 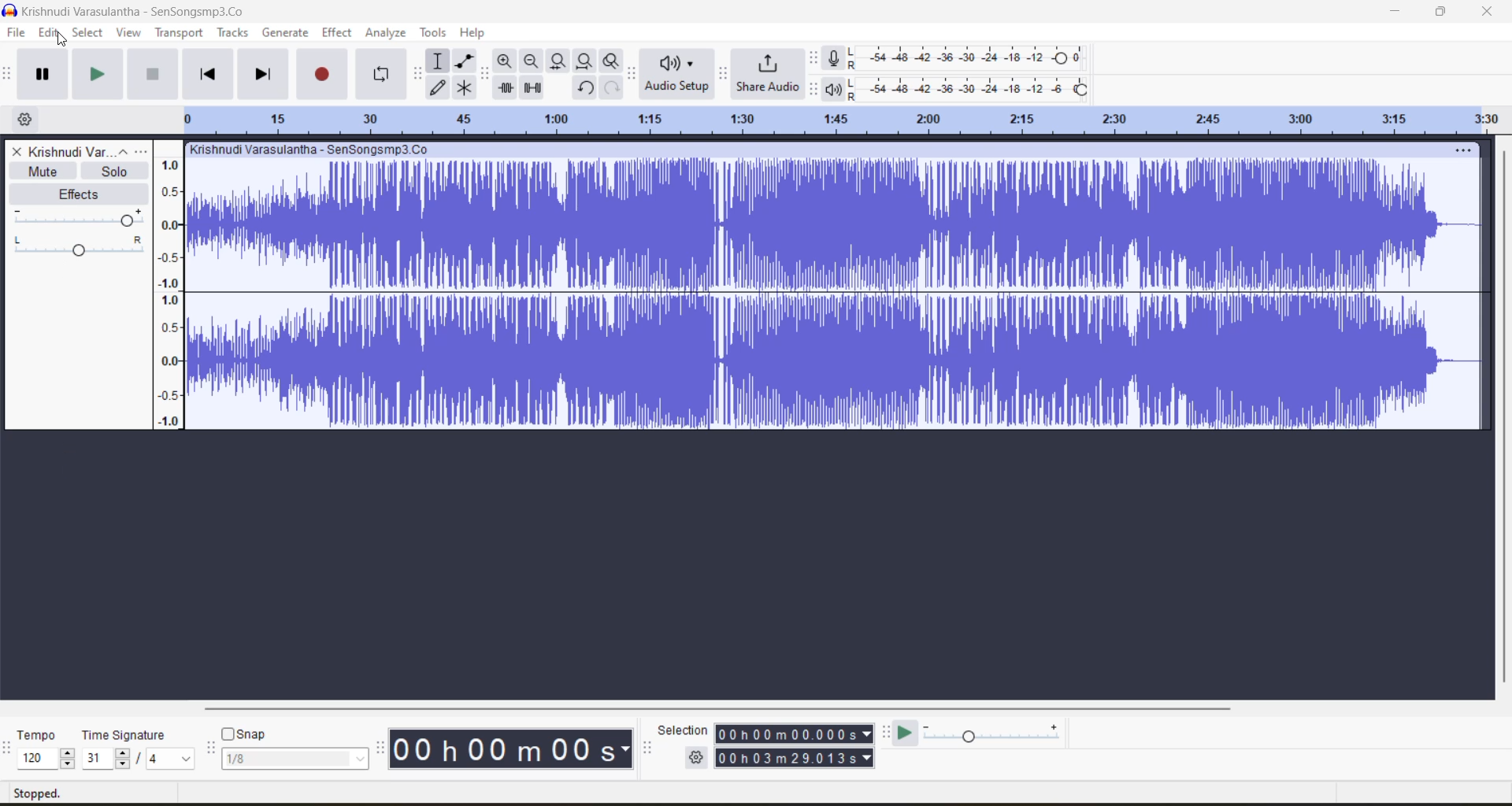 What do you see at coordinates (836, 58) in the screenshot?
I see `record meter` at bounding box center [836, 58].